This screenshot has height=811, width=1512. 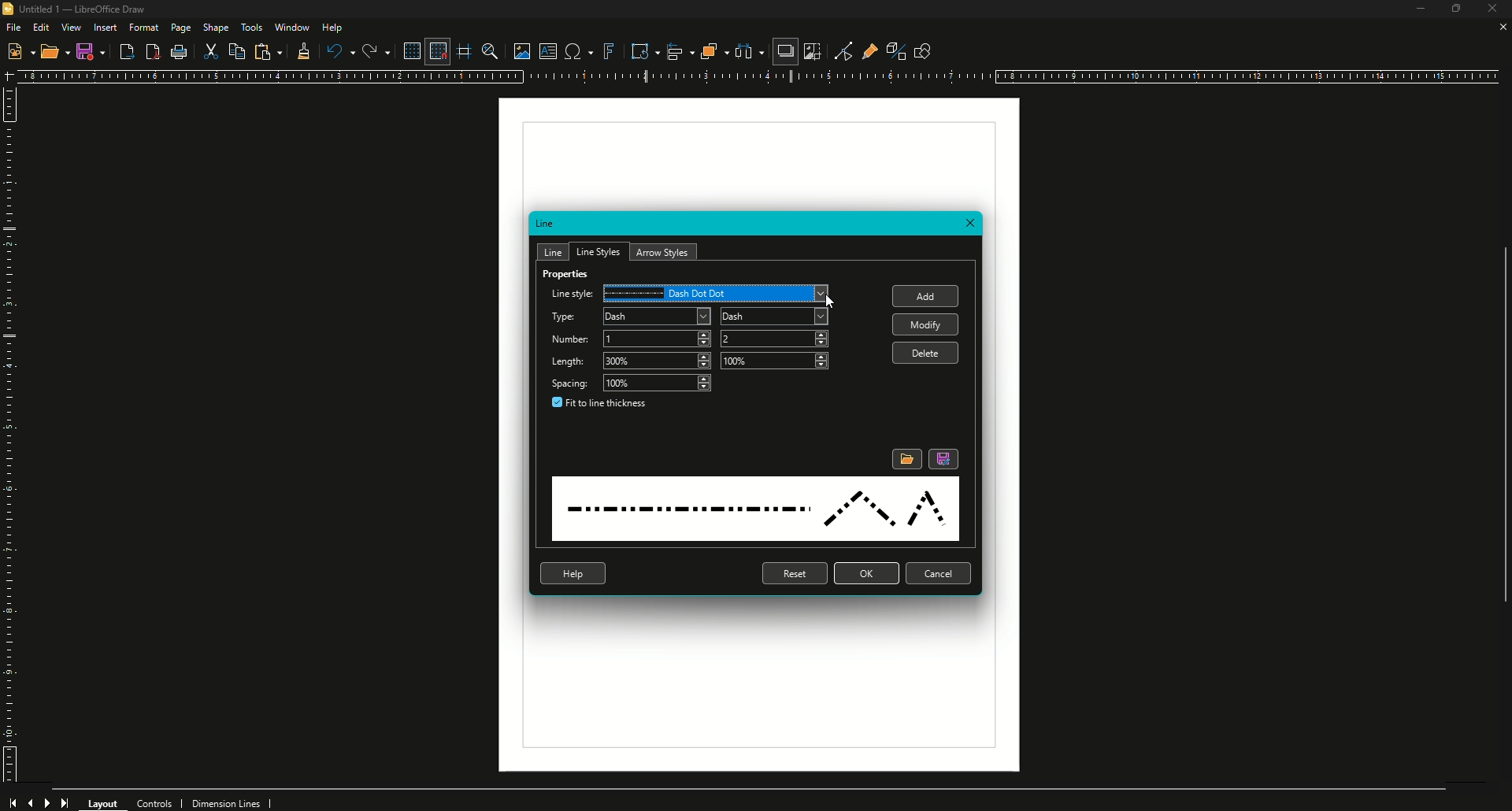 What do you see at coordinates (658, 383) in the screenshot?
I see `100%` at bounding box center [658, 383].